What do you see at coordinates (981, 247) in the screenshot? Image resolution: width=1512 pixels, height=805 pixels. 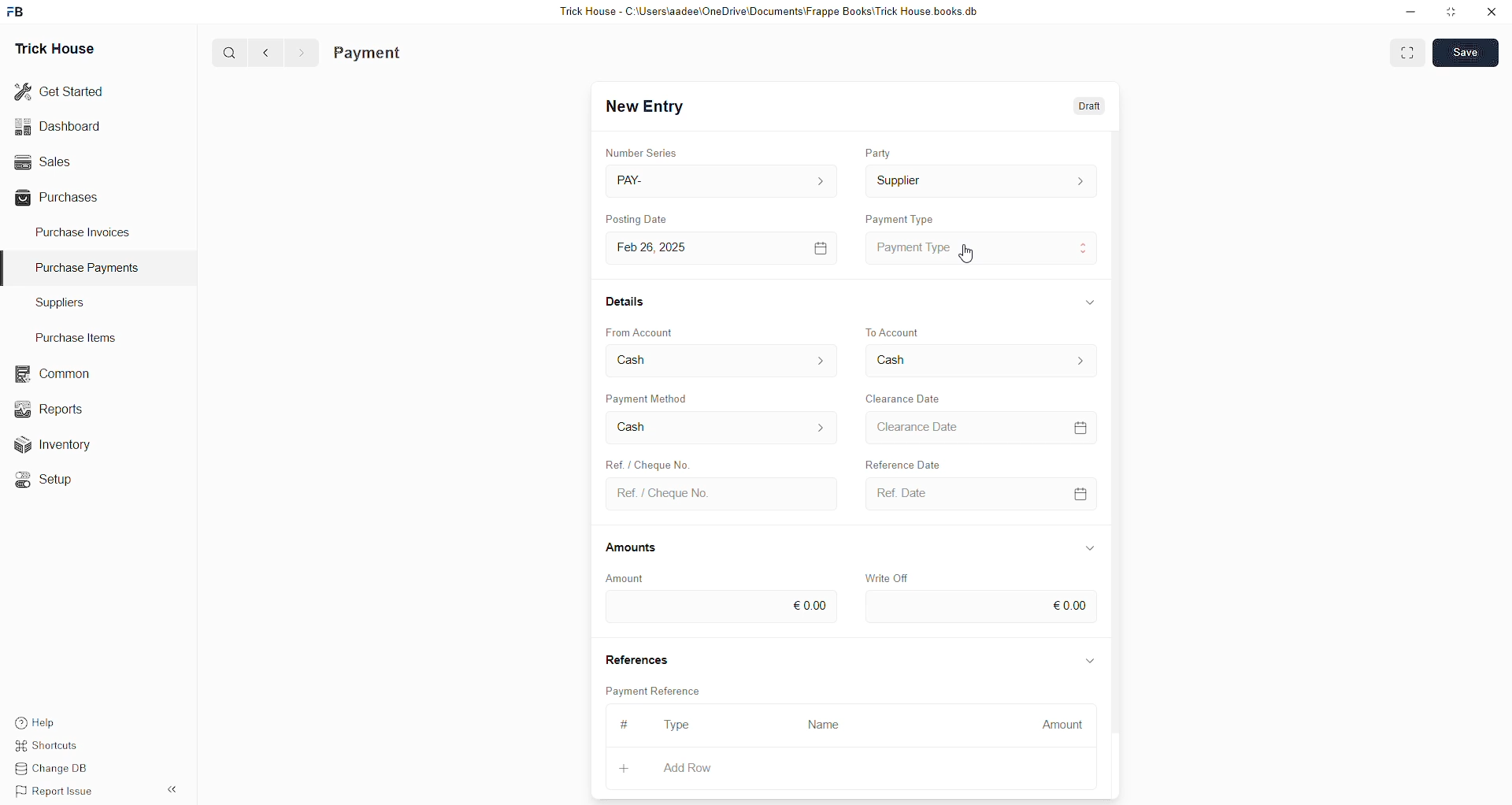 I see ` Payment Type` at bounding box center [981, 247].